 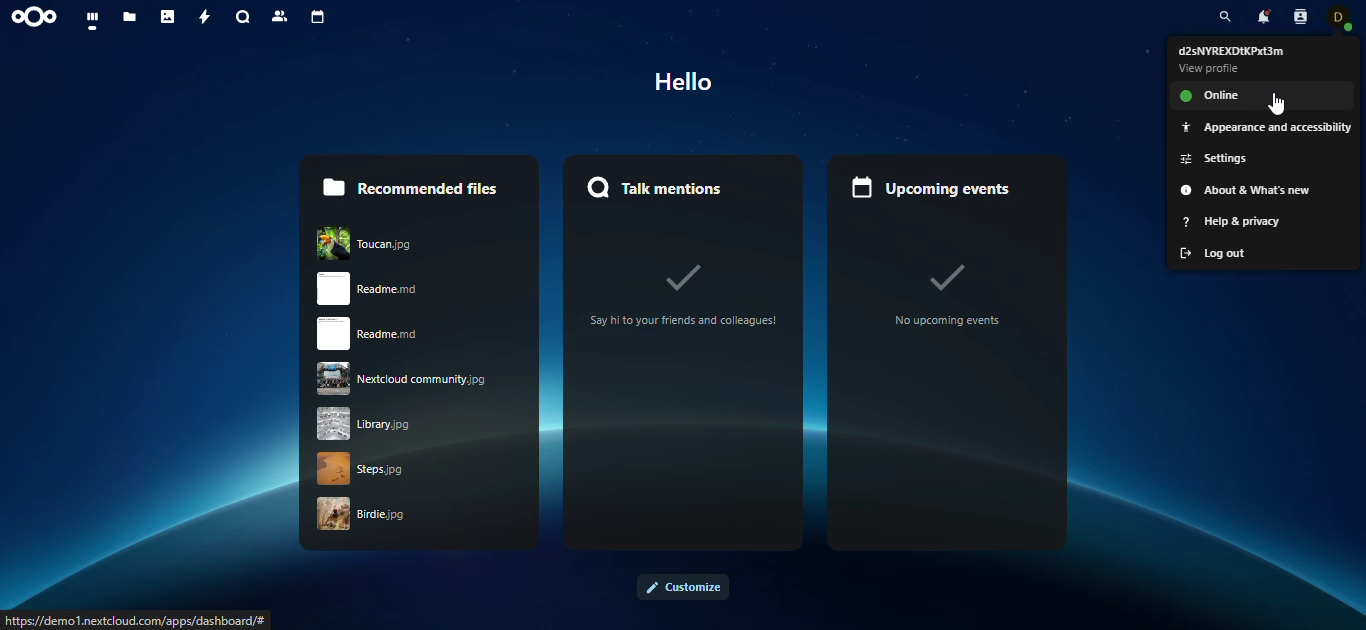 I want to click on contact, so click(x=1341, y=16).